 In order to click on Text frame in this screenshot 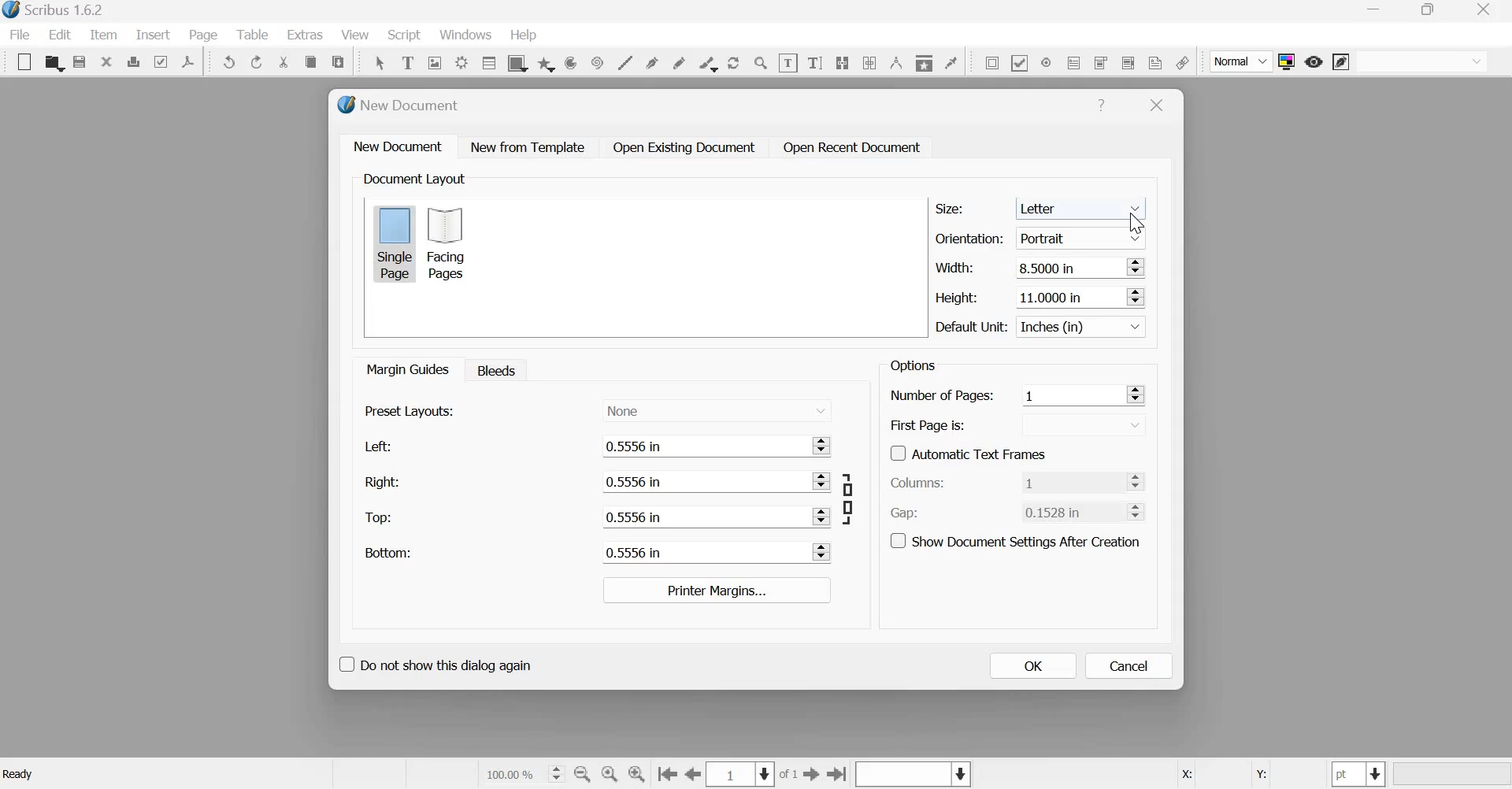, I will do `click(407, 61)`.